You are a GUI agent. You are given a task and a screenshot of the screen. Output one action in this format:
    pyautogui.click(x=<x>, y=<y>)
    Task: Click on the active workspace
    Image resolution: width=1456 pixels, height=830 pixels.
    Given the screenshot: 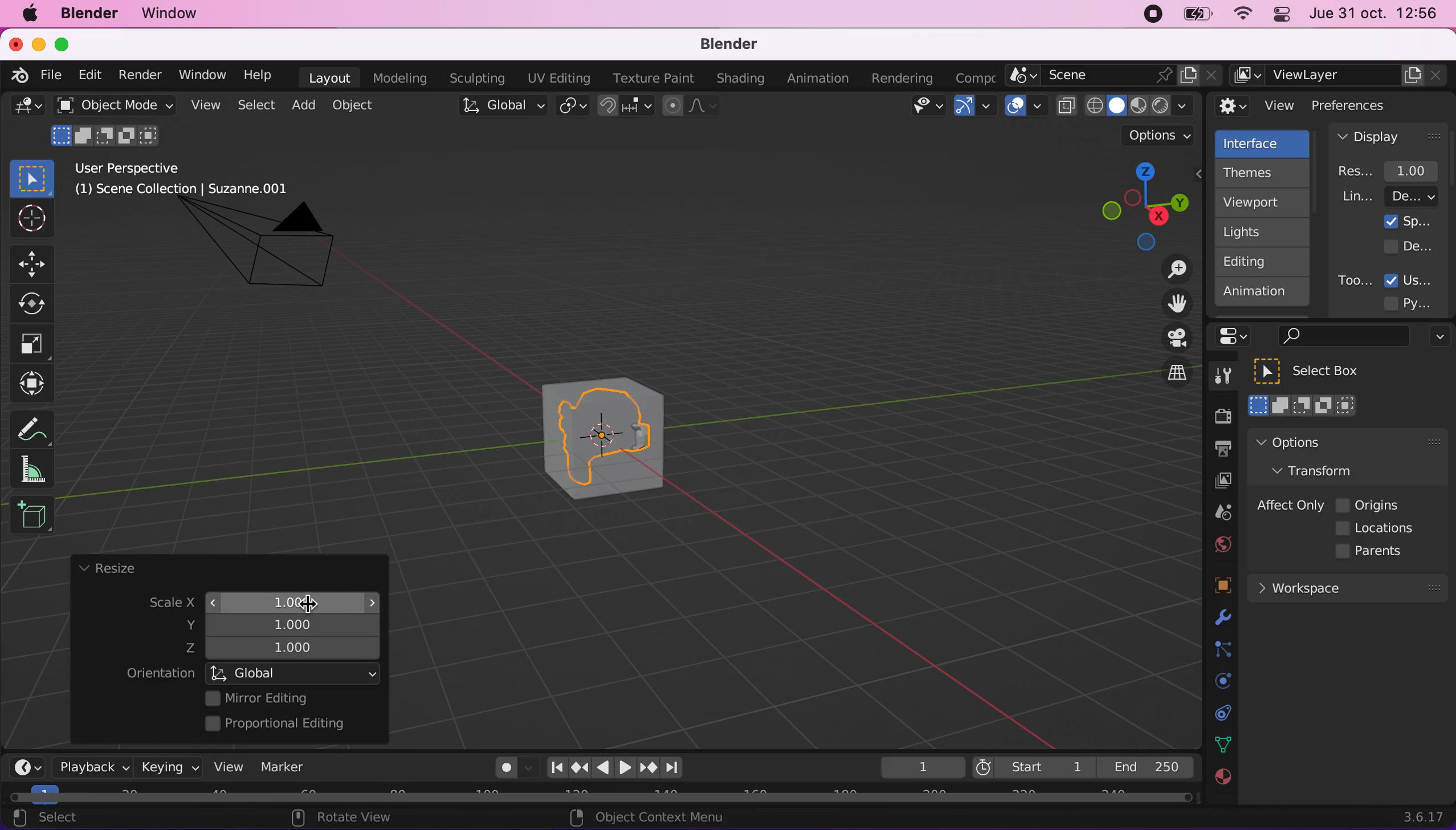 What is the action you would take?
    pyautogui.click(x=971, y=76)
    